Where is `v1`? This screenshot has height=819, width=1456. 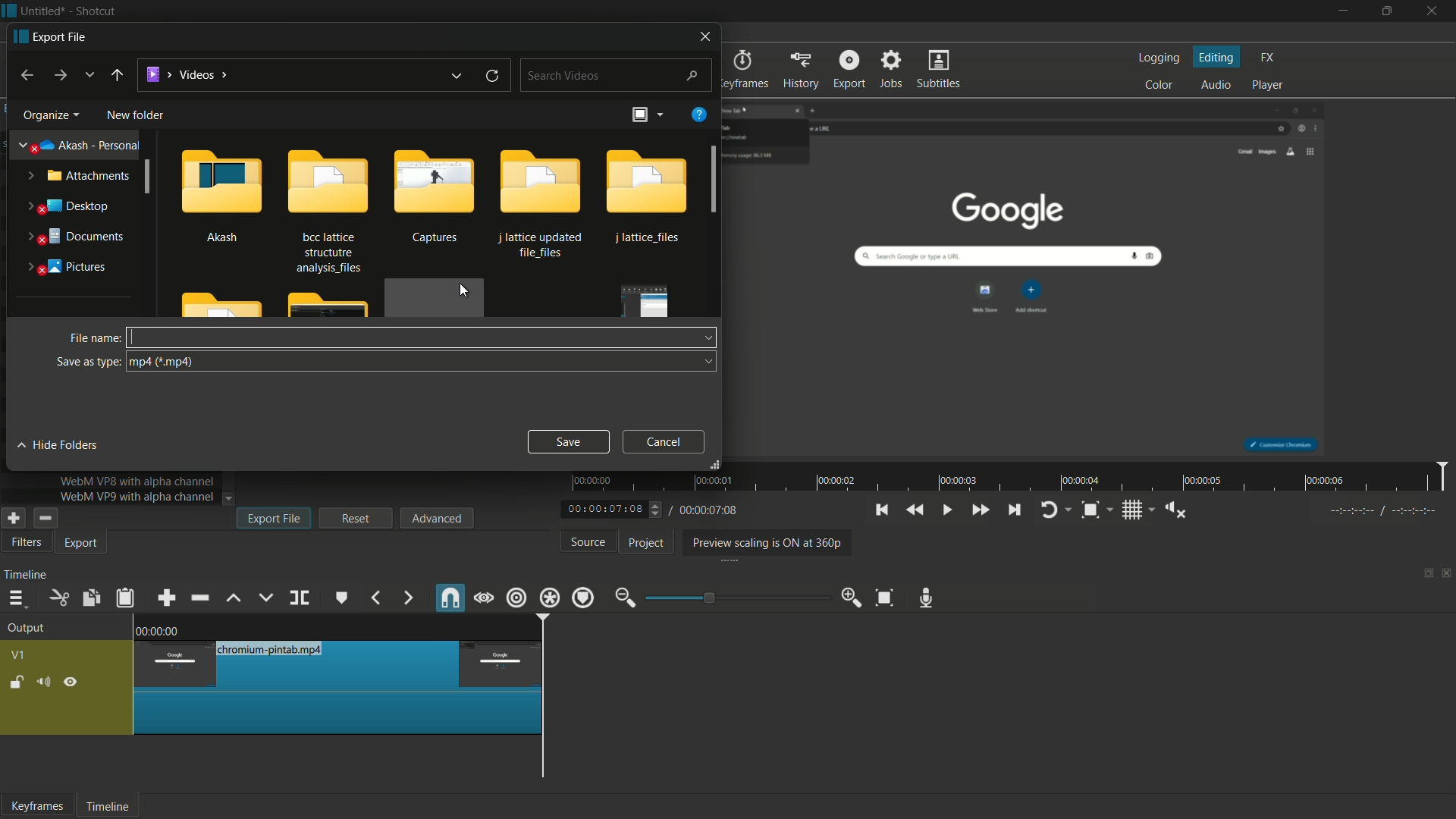
v1 is located at coordinates (20, 657).